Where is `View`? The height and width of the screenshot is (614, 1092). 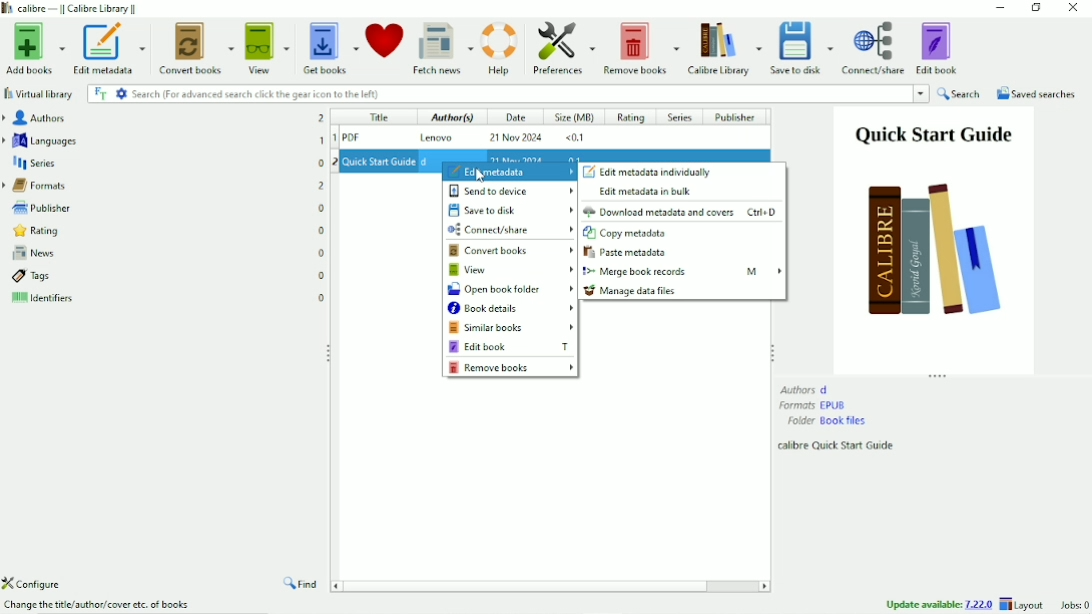 View is located at coordinates (268, 47).